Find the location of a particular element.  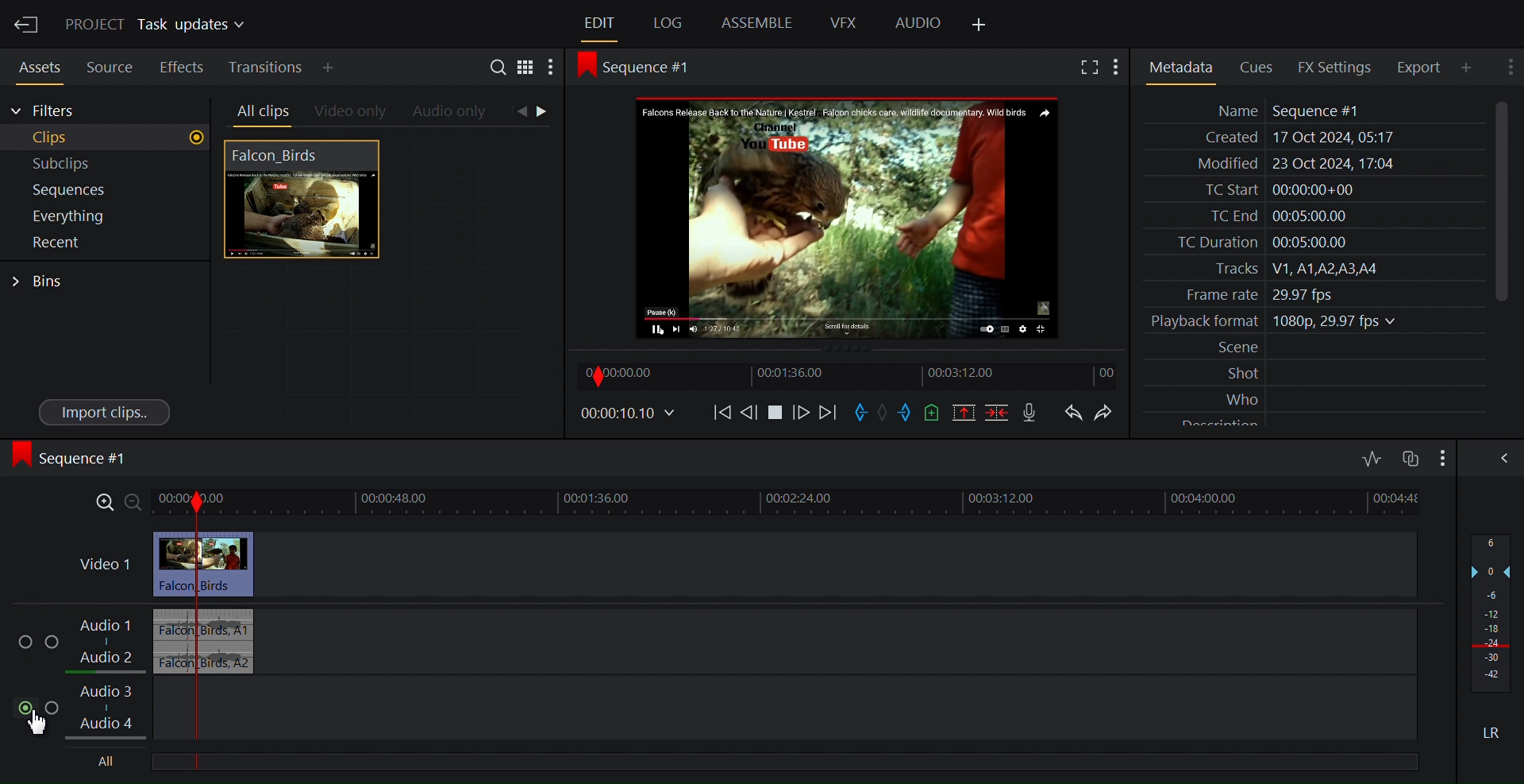

Mark in is located at coordinates (860, 413).